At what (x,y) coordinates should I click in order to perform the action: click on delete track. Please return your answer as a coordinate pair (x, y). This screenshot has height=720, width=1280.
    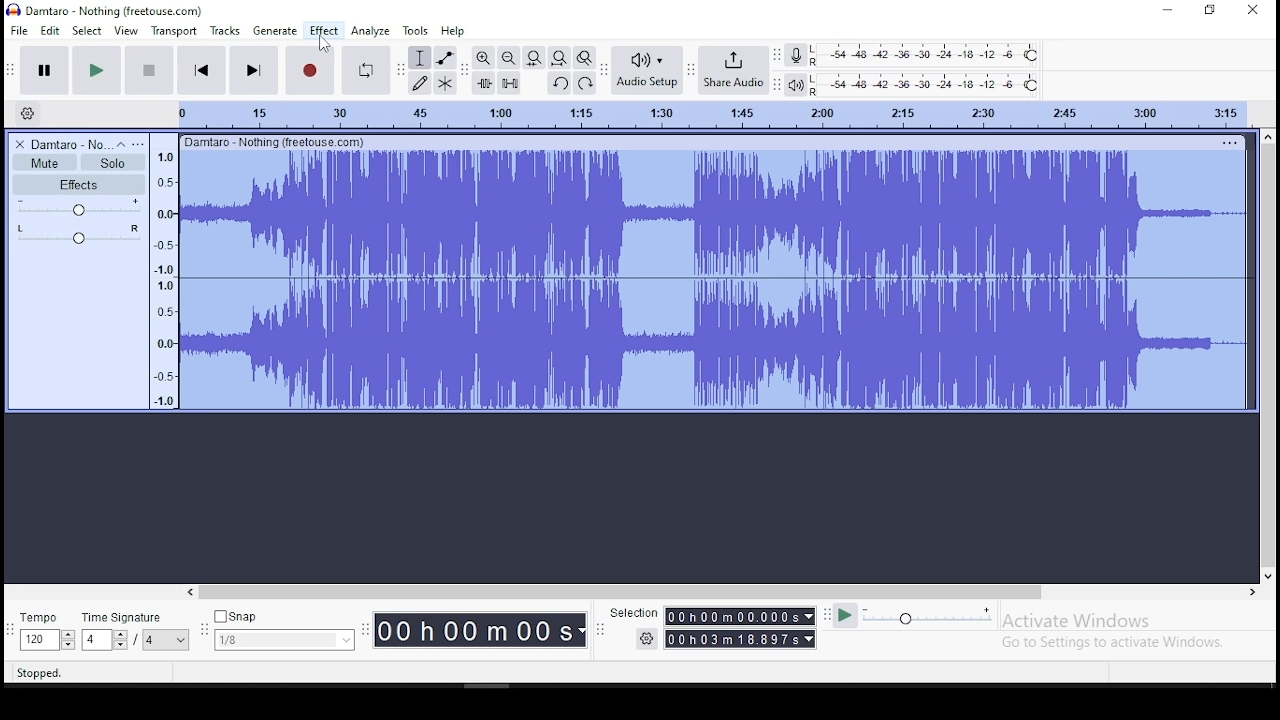
    Looking at the image, I should click on (16, 144).